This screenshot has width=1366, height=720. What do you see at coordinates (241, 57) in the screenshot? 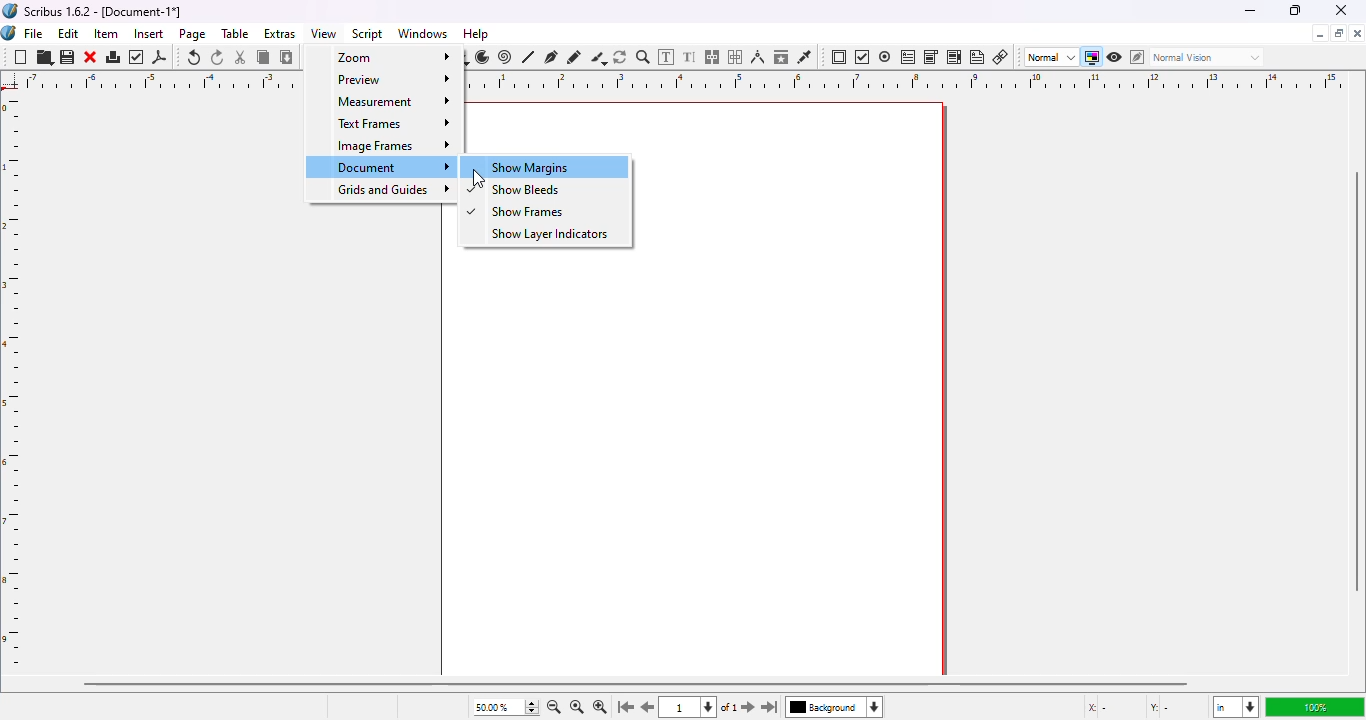
I see `cut` at bounding box center [241, 57].